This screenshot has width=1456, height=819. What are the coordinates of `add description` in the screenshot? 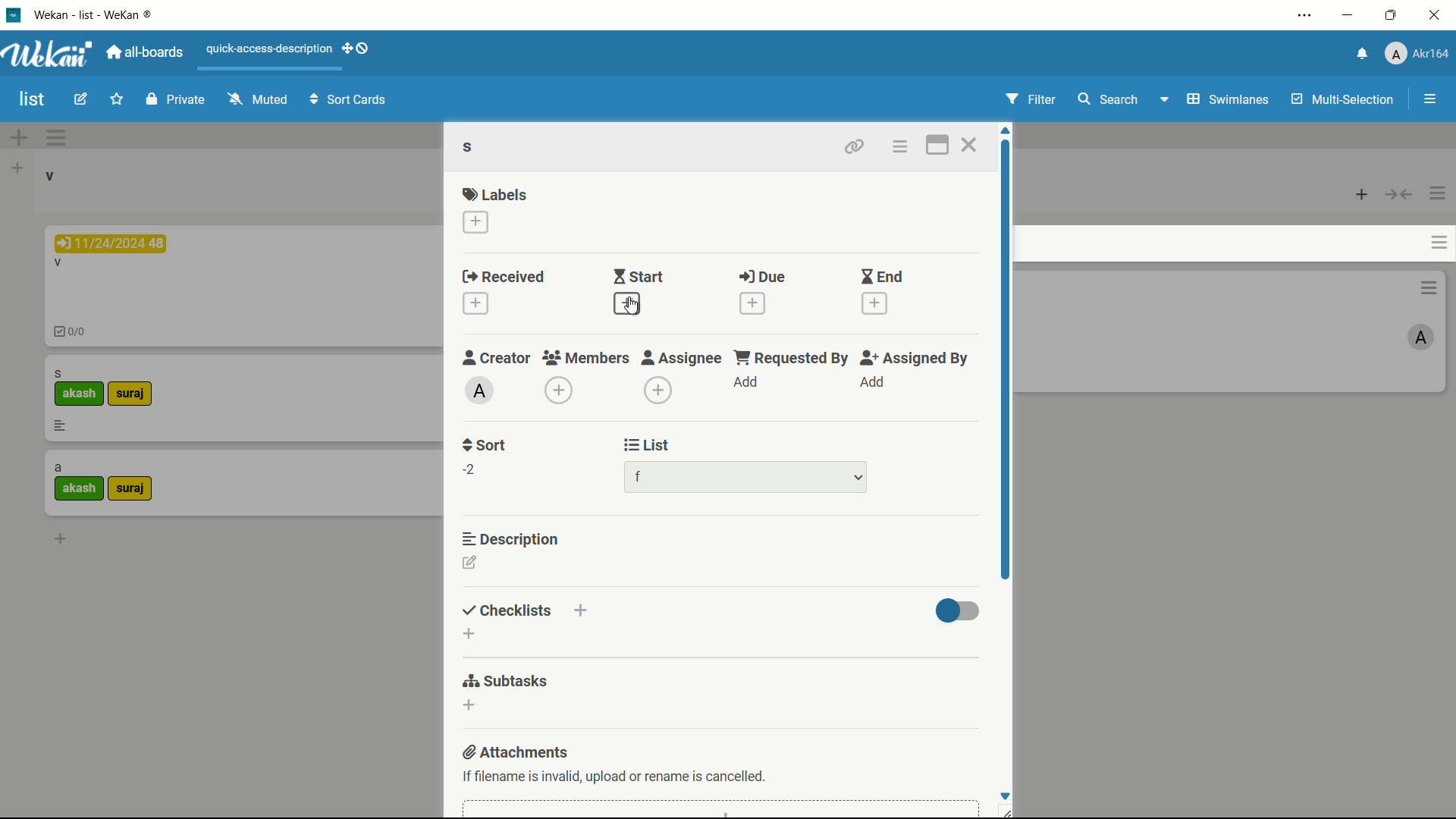 It's located at (469, 563).